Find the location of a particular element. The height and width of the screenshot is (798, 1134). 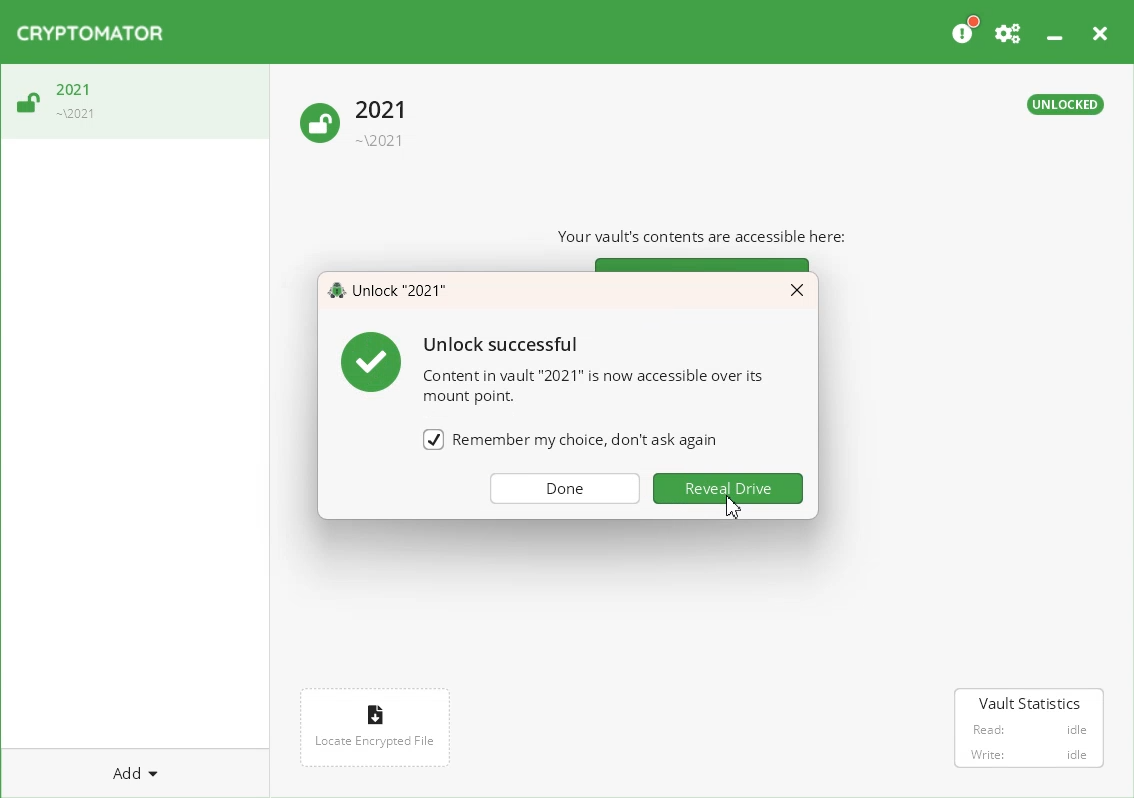

Minimize is located at coordinates (1054, 29).